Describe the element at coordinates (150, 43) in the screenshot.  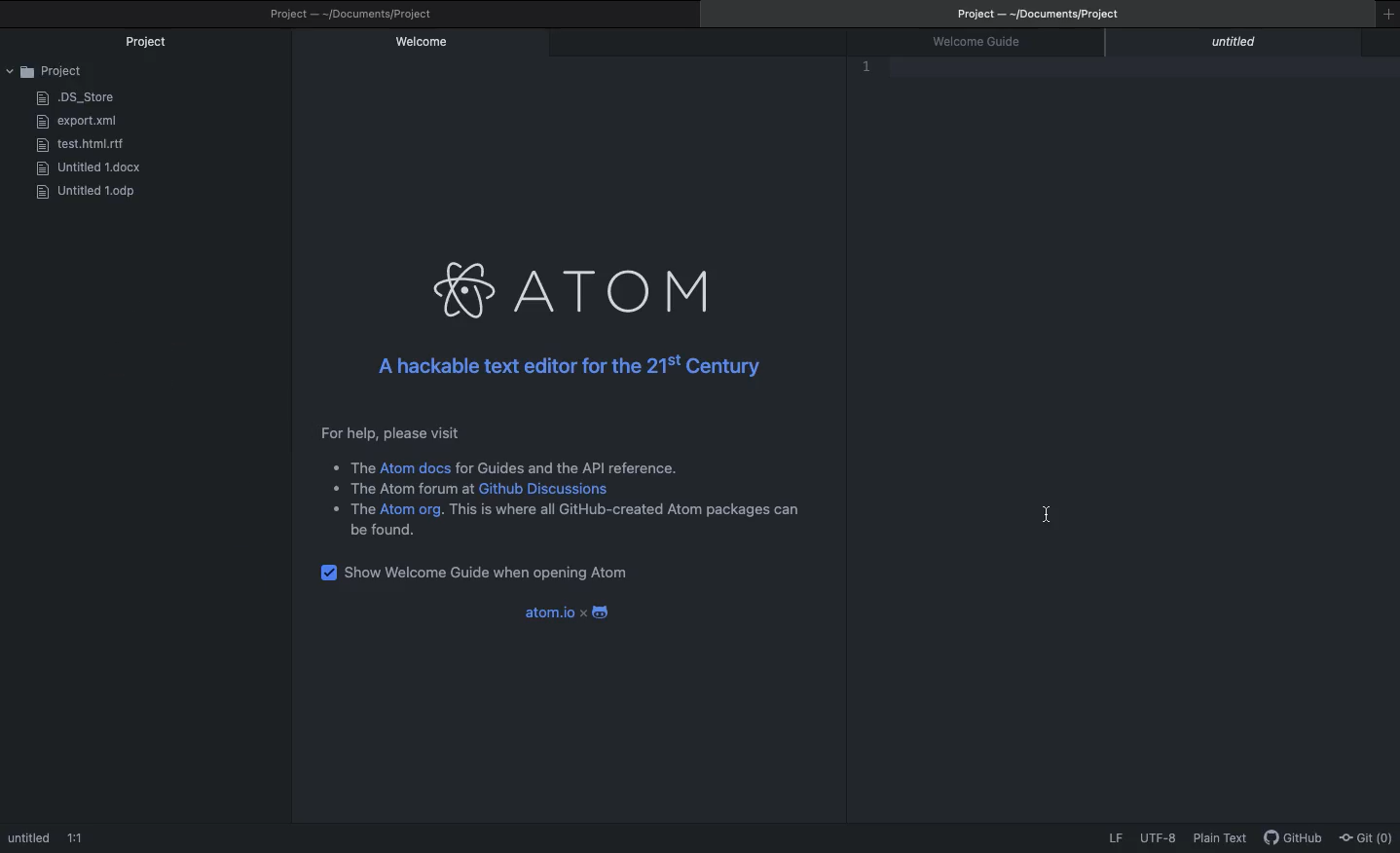
I see `Project` at that location.